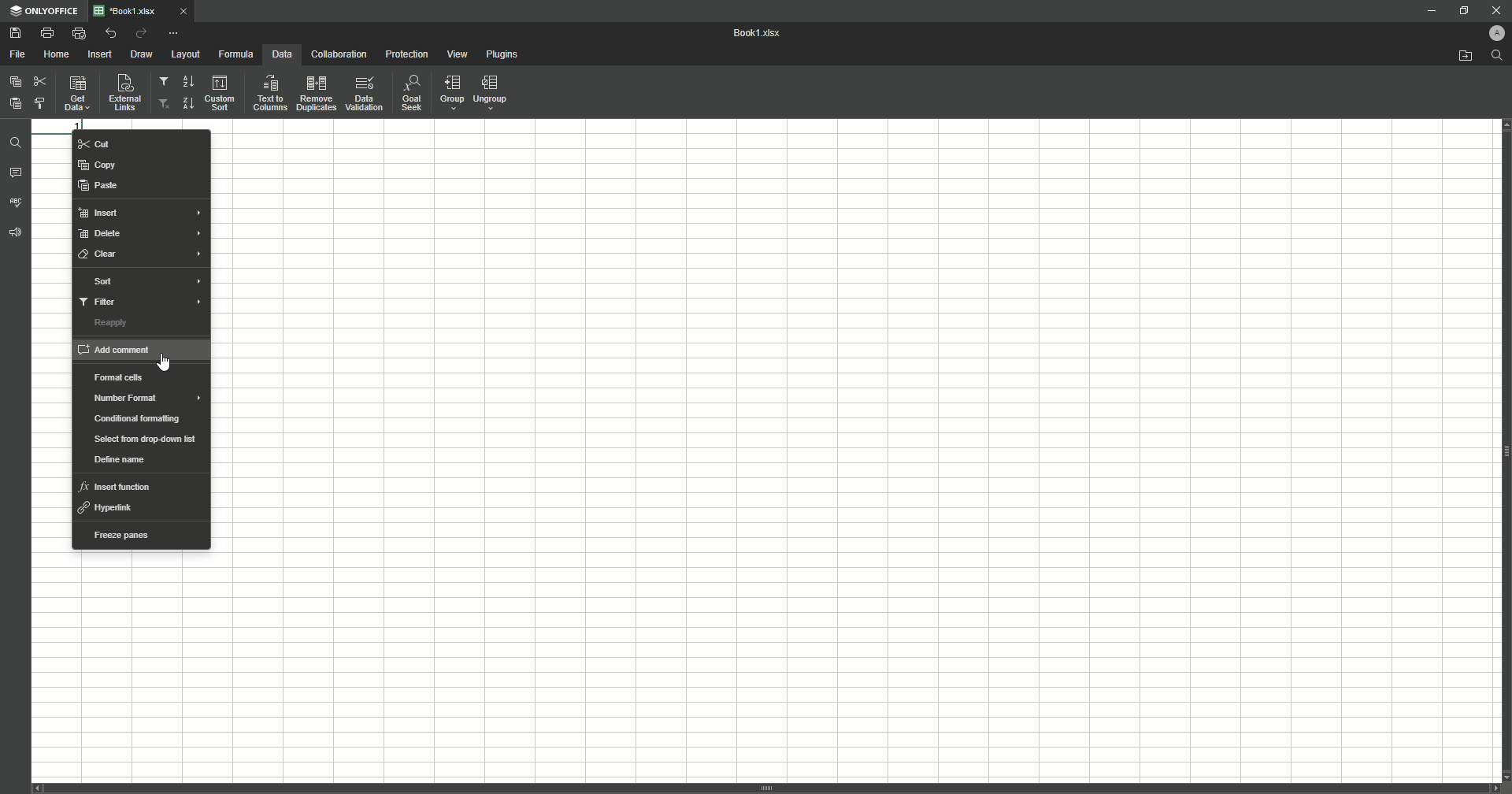 Image resolution: width=1512 pixels, height=794 pixels. Describe the element at coordinates (118, 486) in the screenshot. I see `Insert function` at that location.